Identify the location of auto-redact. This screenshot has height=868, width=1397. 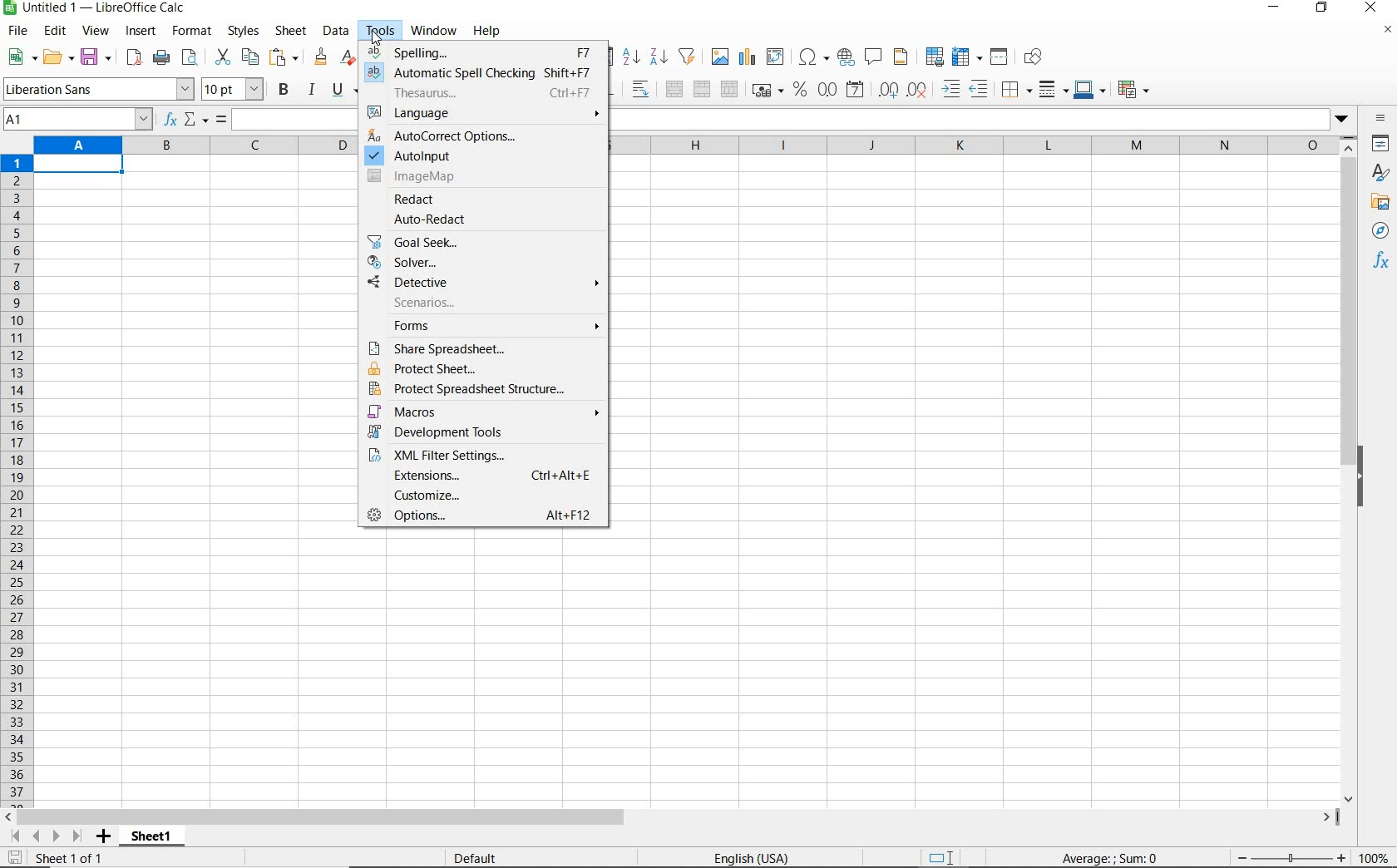
(457, 219).